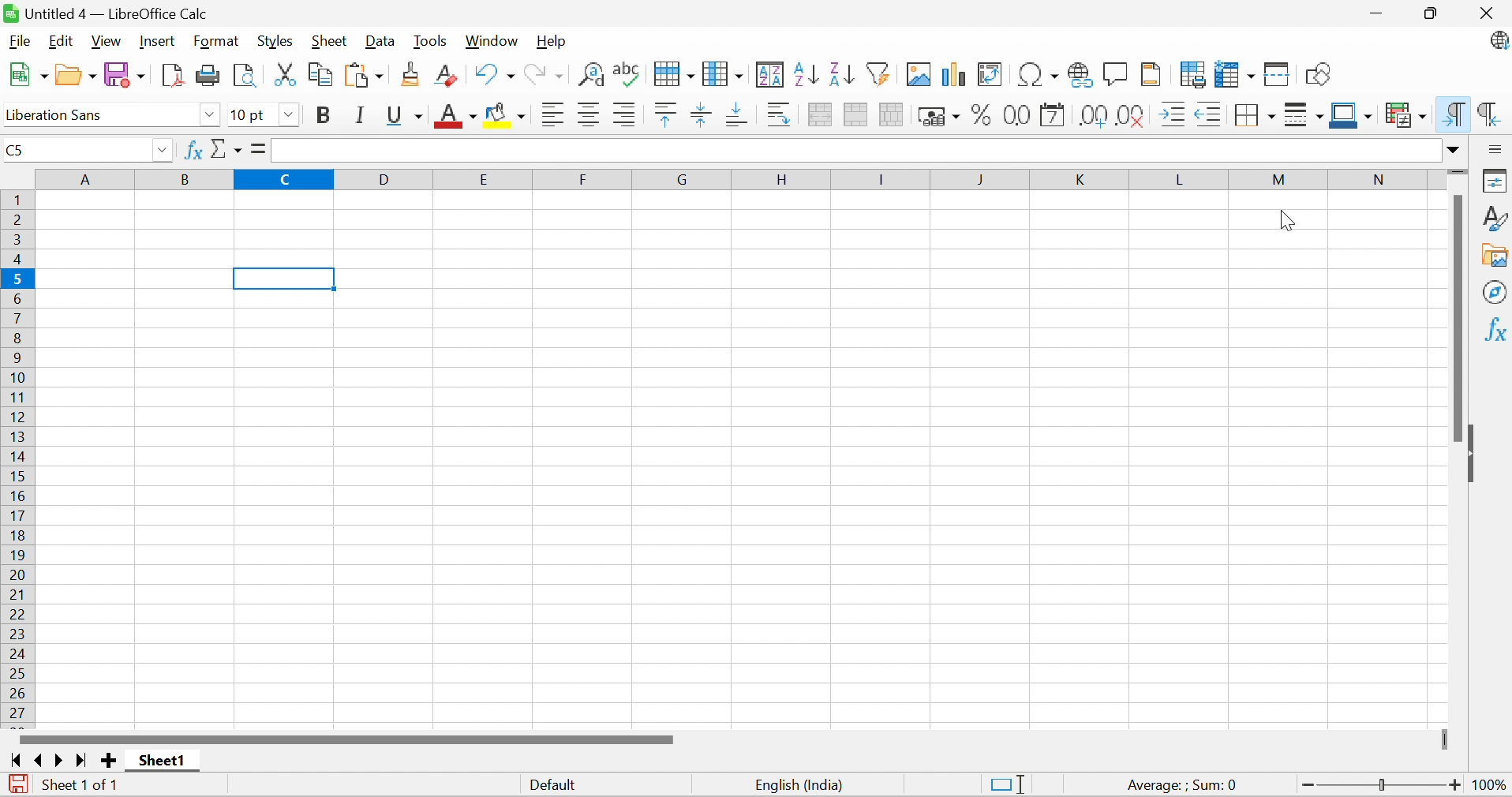 Image resolution: width=1512 pixels, height=797 pixels. Describe the element at coordinates (857, 116) in the screenshot. I see `Merge cells` at that location.